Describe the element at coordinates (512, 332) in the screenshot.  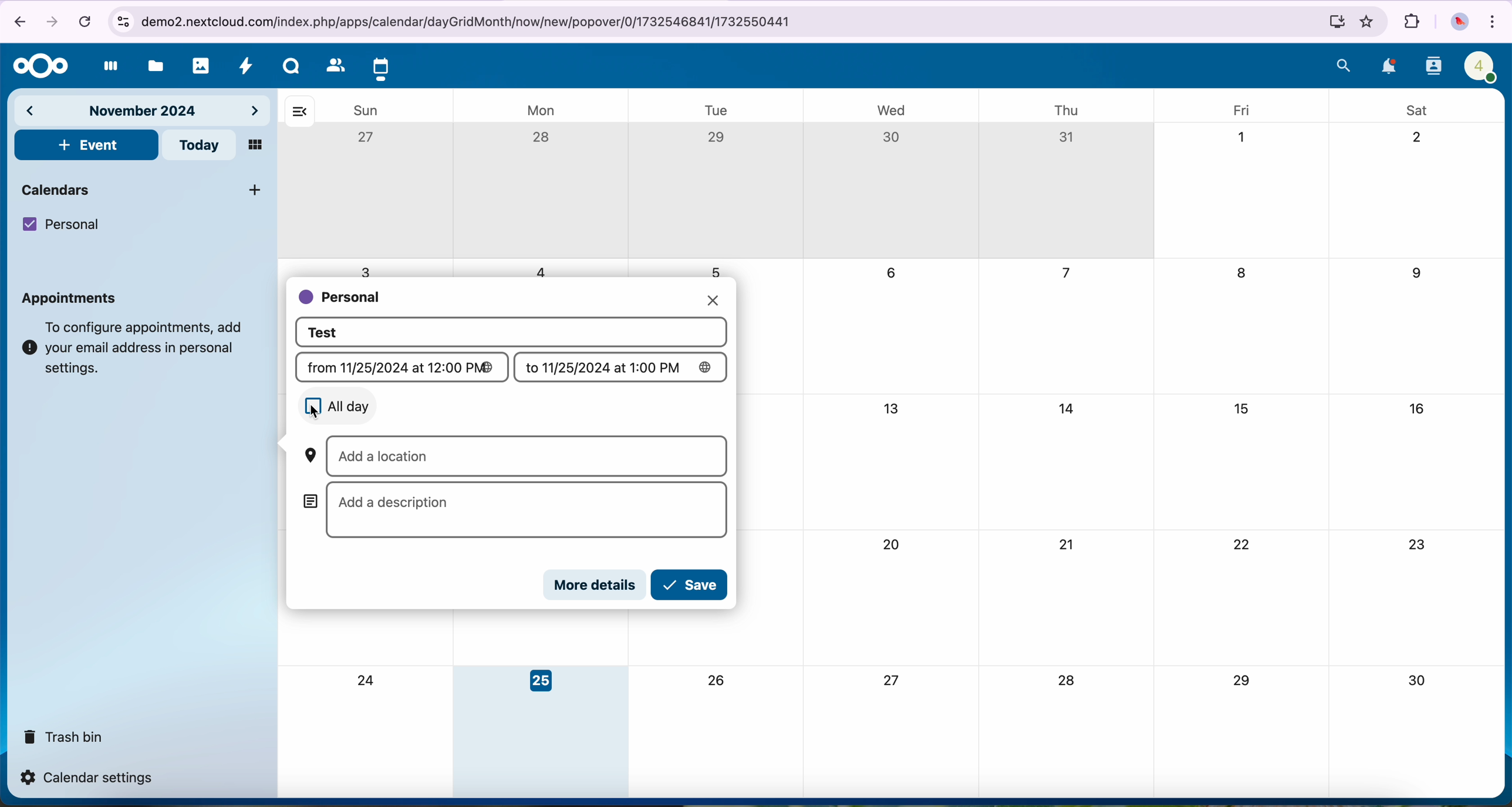
I see `event title` at that location.